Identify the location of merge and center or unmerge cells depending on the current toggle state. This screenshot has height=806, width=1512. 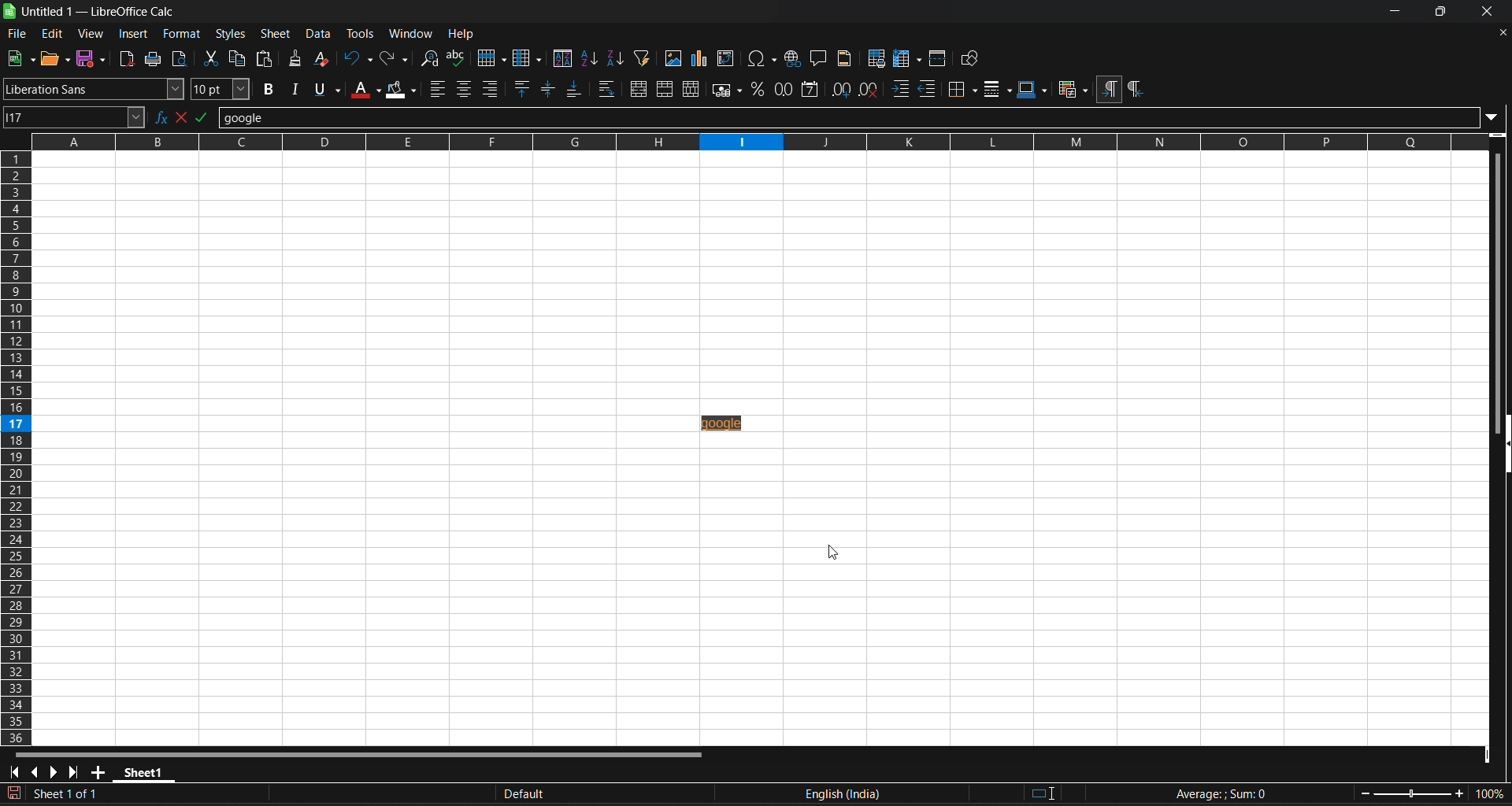
(638, 88).